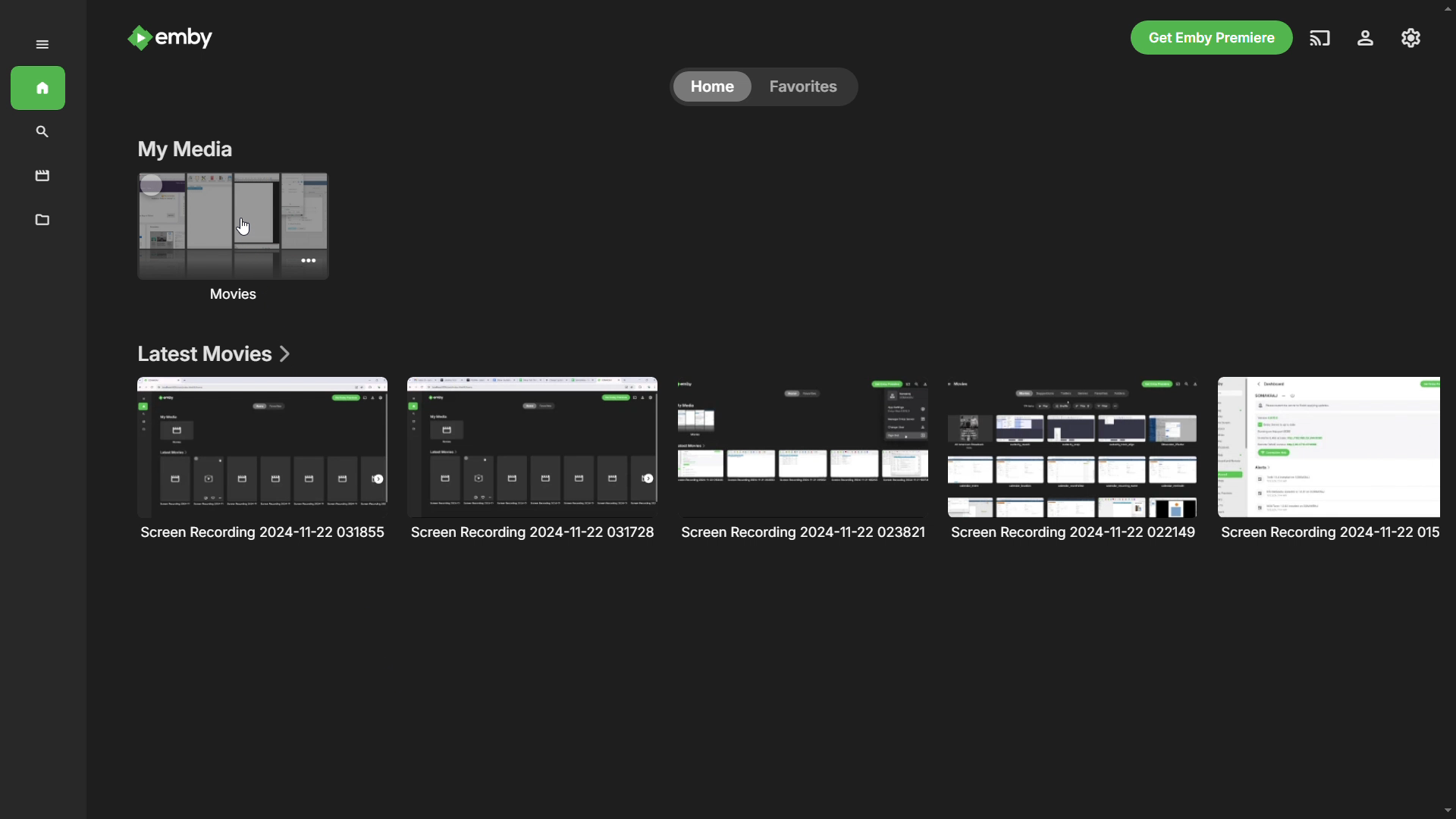  I want to click on , so click(1333, 465).